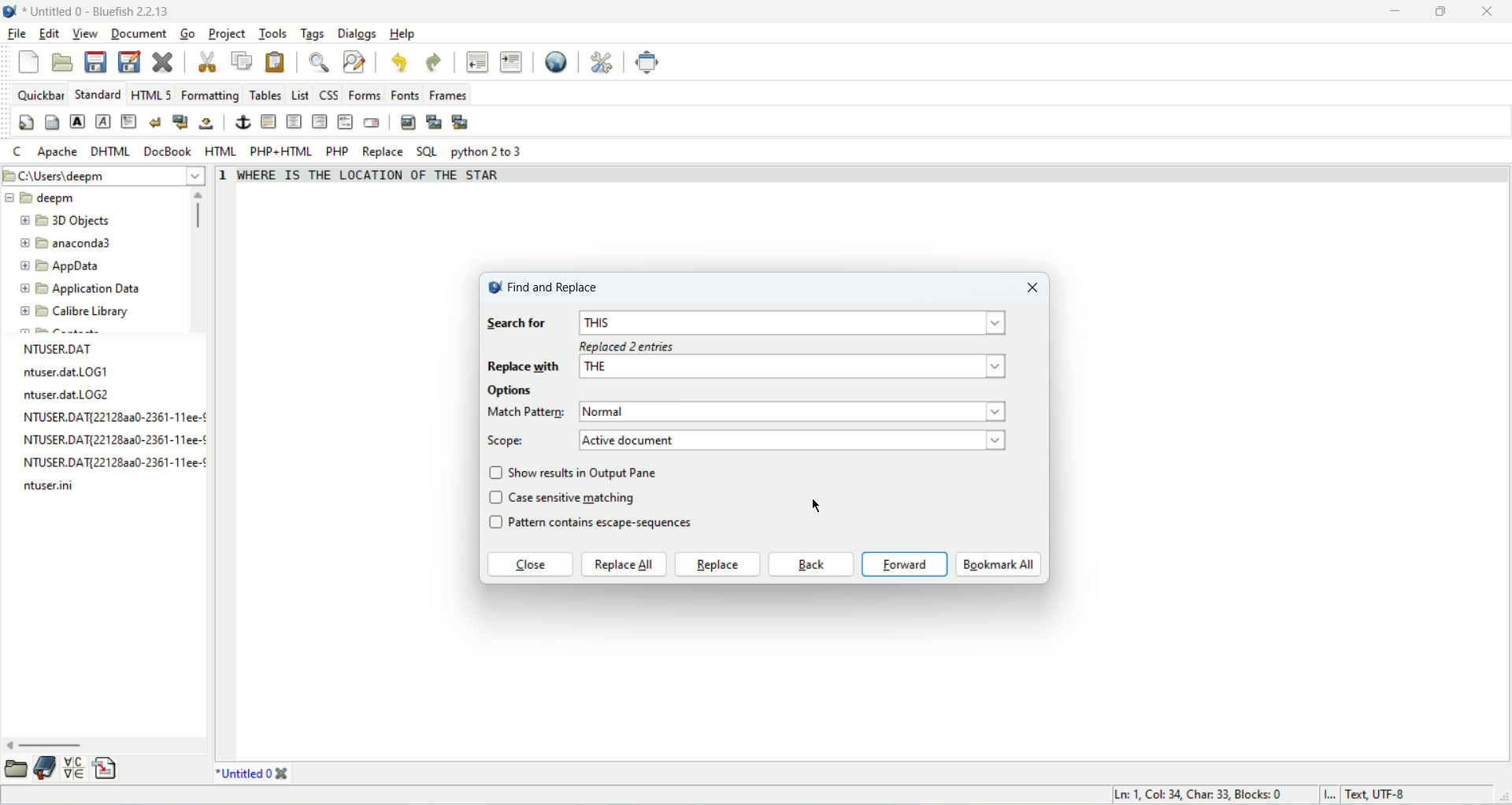 This screenshot has width=1512, height=805. I want to click on paste, so click(276, 62).